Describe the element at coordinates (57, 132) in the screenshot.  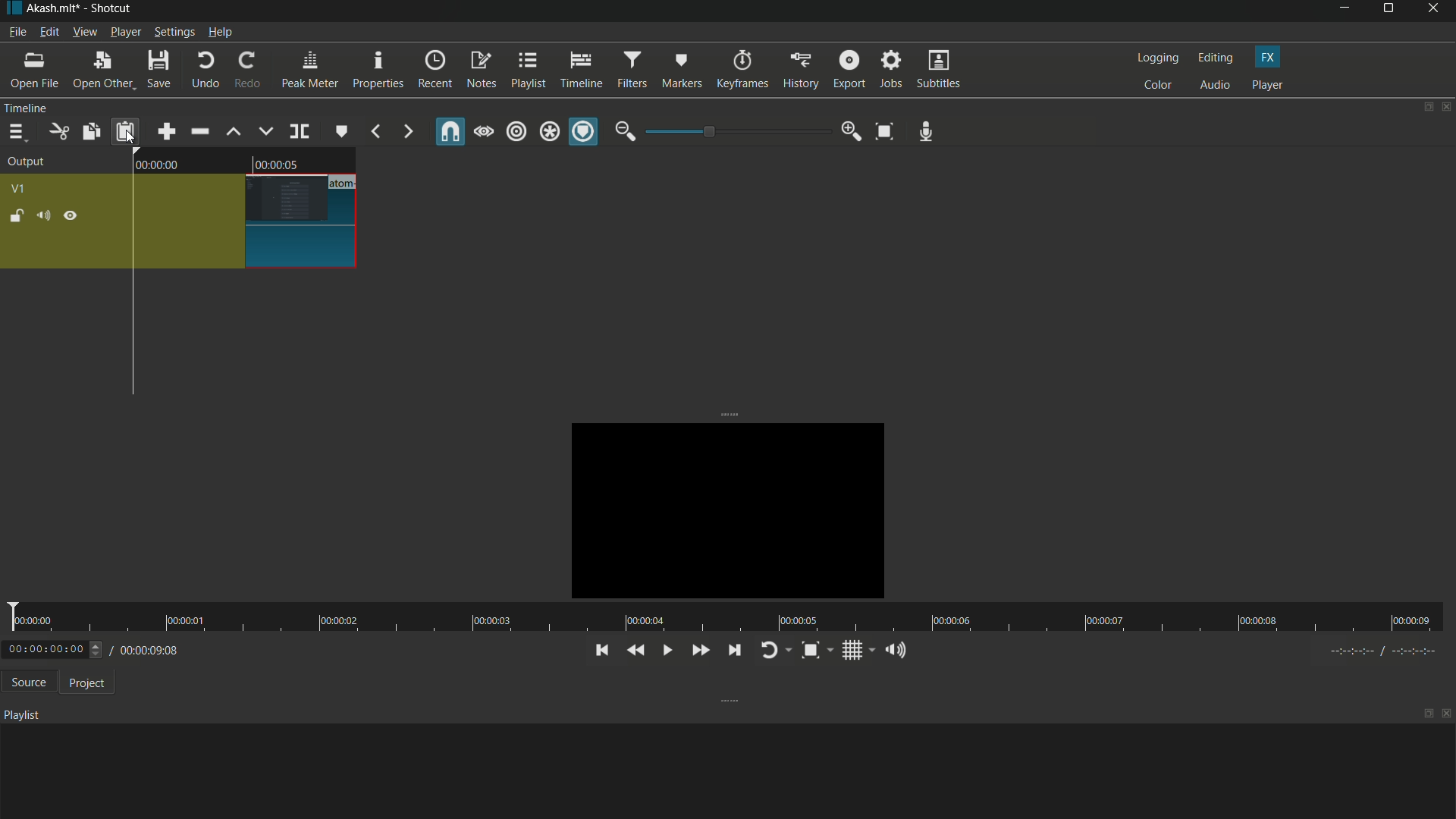
I see `cut` at that location.